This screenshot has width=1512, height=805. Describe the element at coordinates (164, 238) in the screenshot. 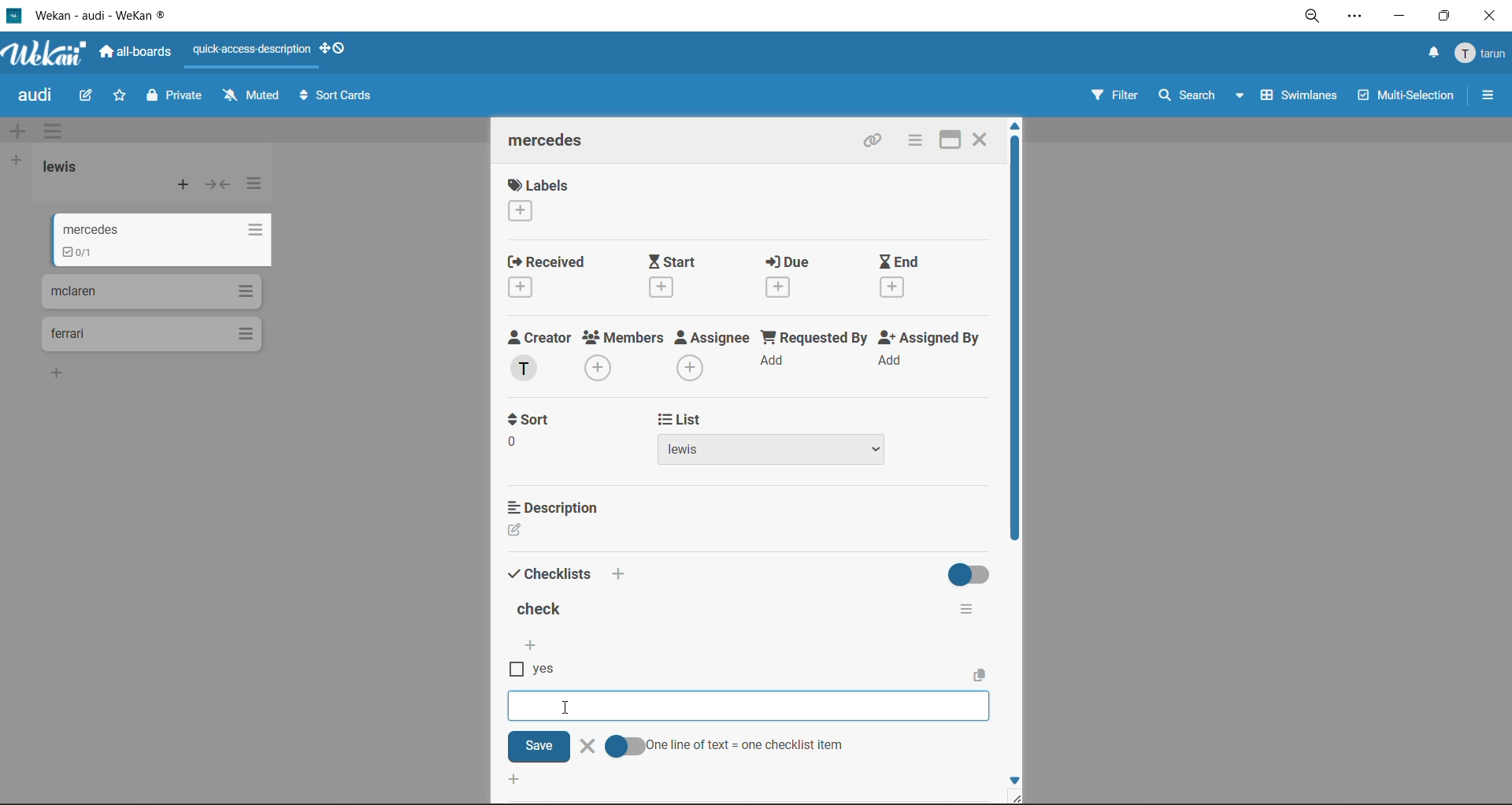

I see `cards` at that location.